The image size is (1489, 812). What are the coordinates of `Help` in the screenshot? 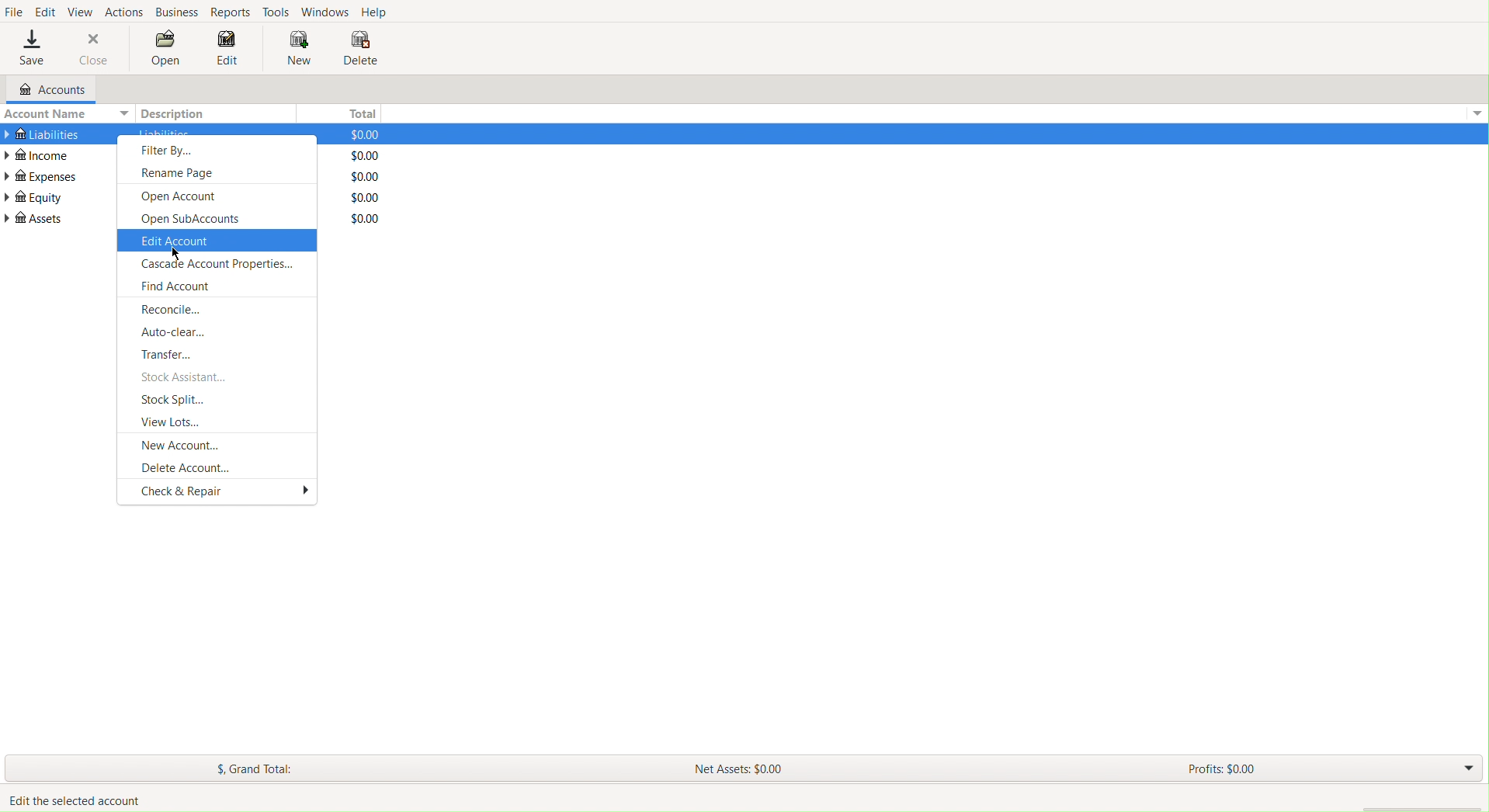 It's located at (377, 12).